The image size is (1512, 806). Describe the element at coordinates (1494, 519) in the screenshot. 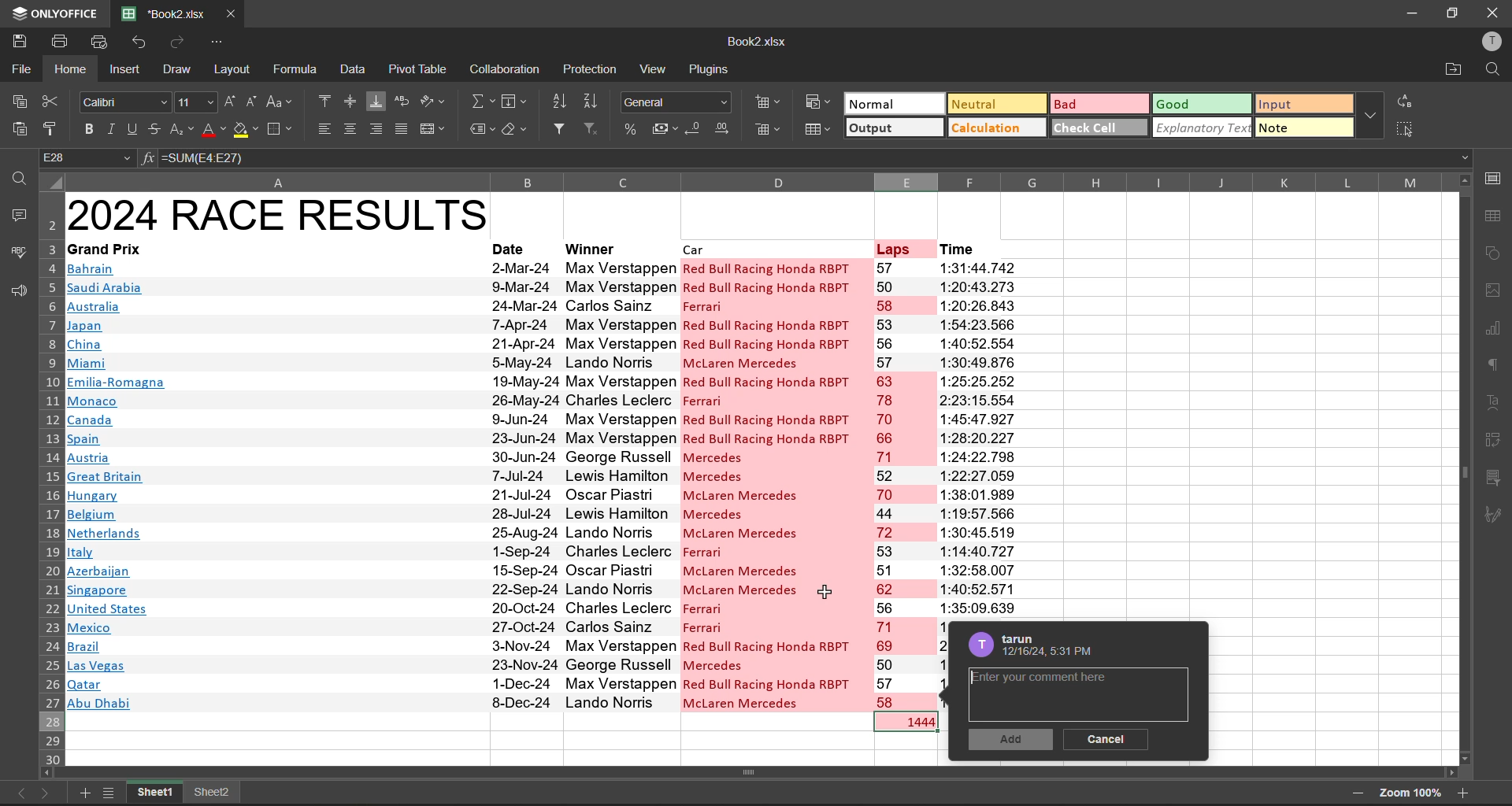

I see `signature` at that location.